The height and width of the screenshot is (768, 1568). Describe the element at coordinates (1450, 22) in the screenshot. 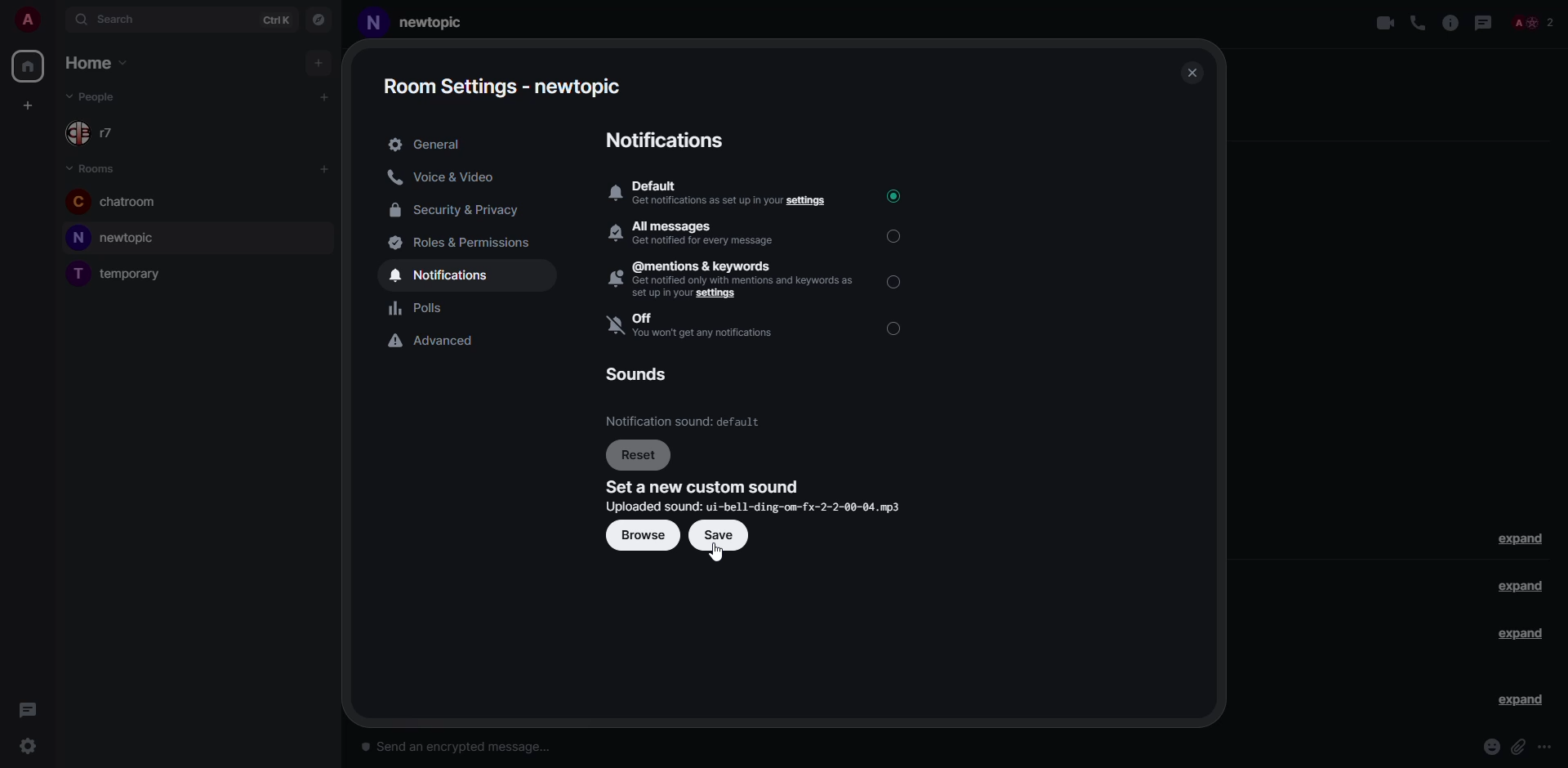

I see `info` at that location.